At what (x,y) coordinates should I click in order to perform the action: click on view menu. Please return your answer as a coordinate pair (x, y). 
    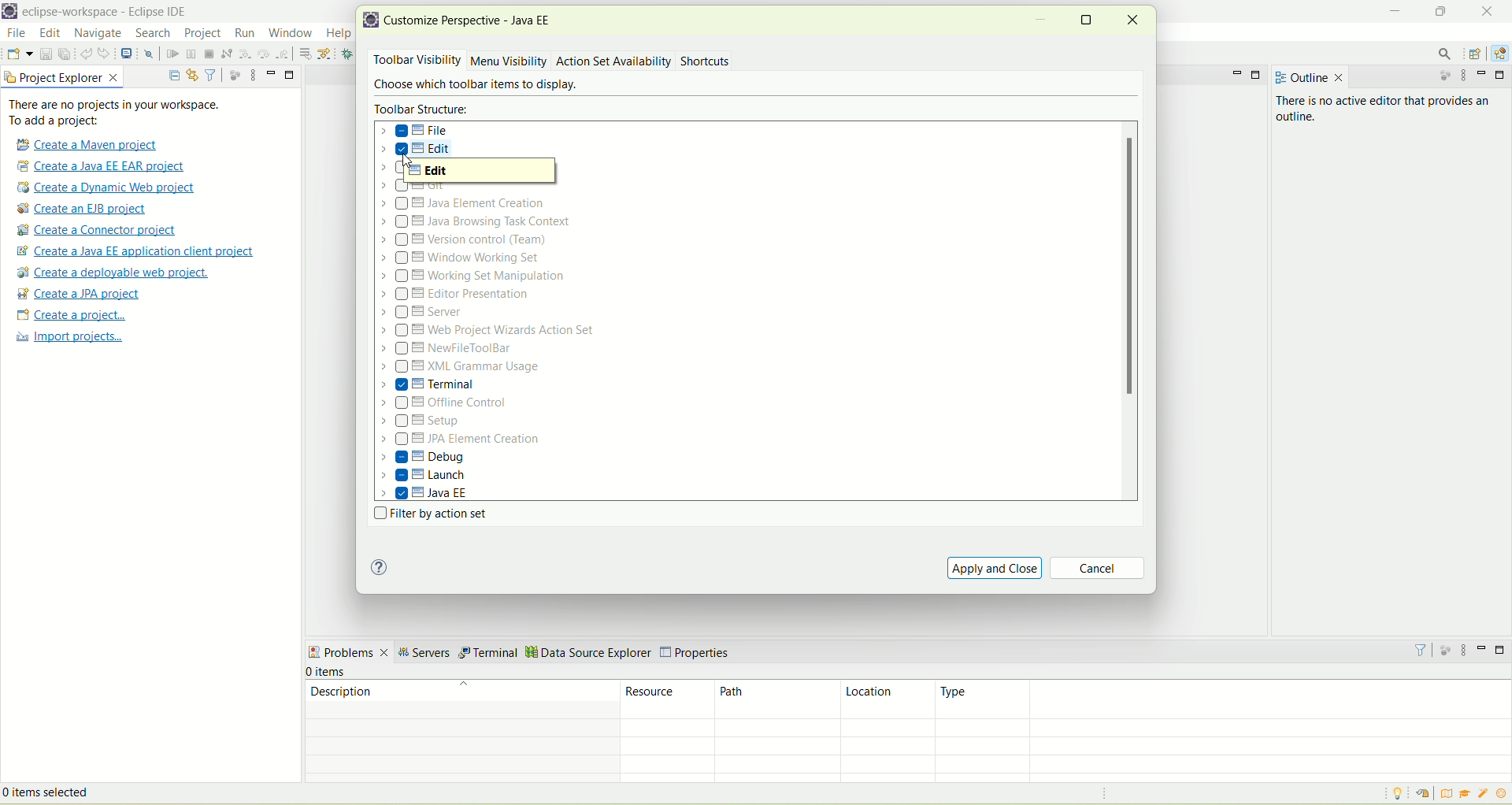
    Looking at the image, I should click on (253, 74).